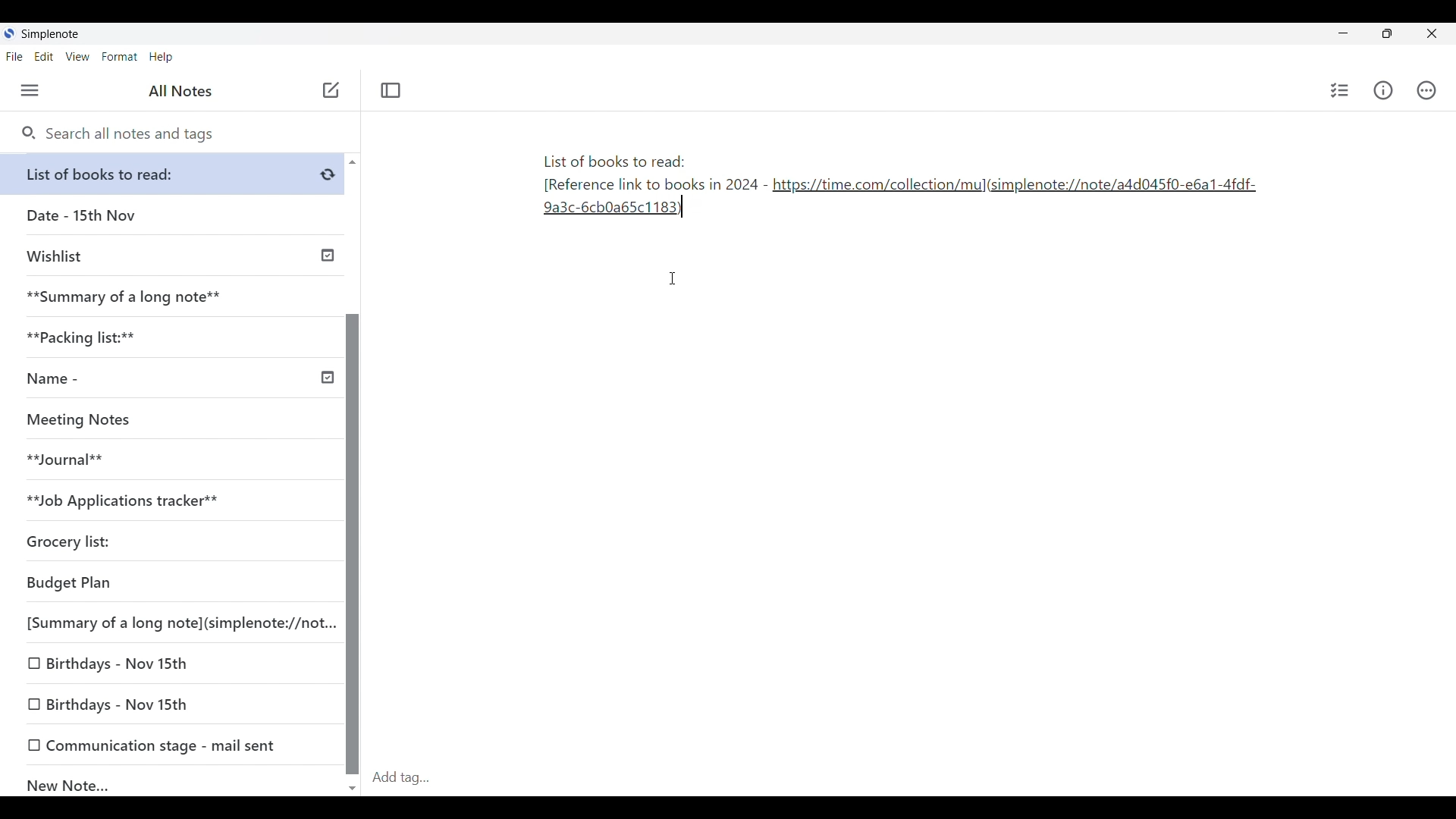 The image size is (1456, 819). I want to click on **Summary of a long note**, so click(172, 297).